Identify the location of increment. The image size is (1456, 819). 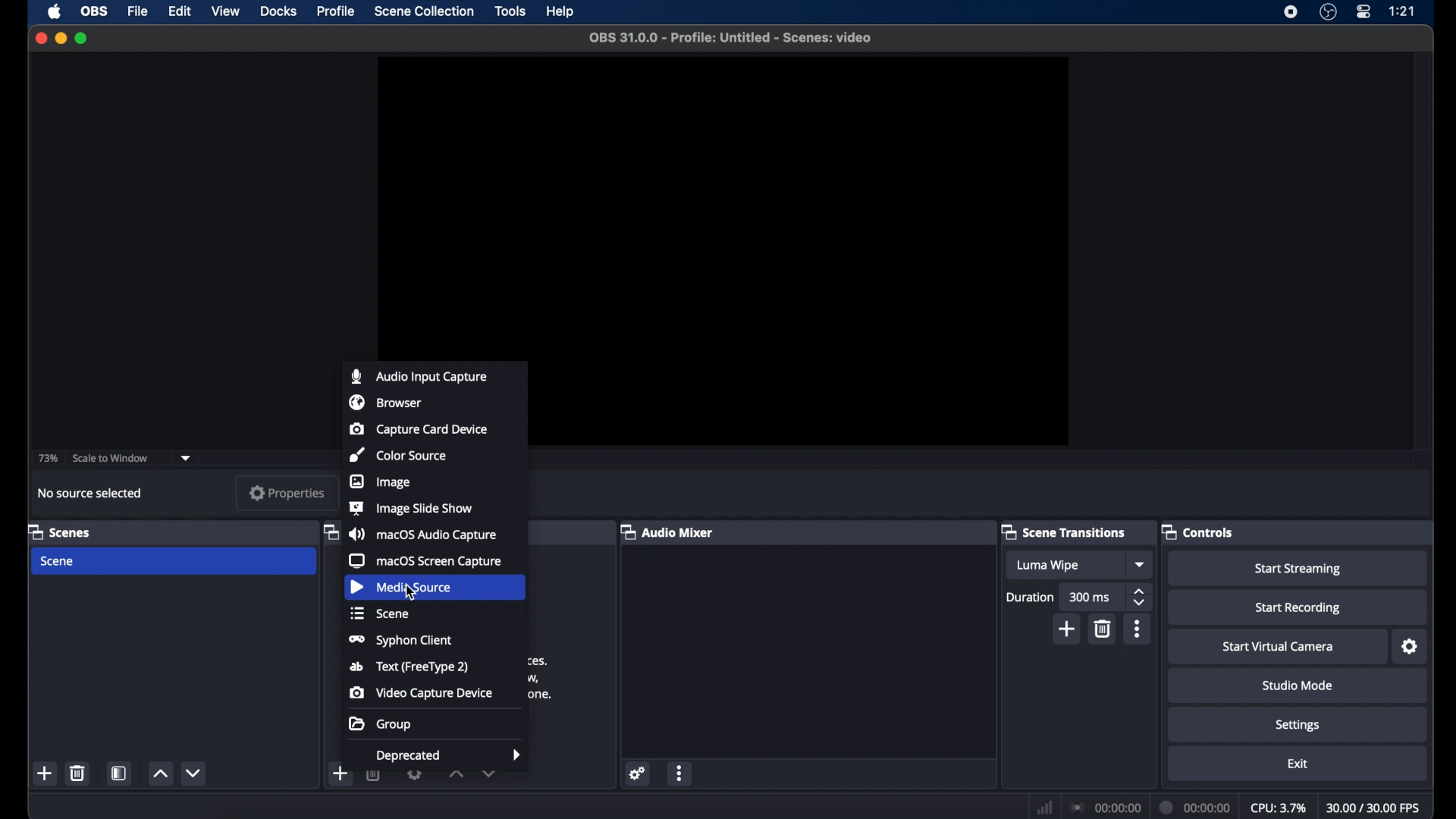
(159, 773).